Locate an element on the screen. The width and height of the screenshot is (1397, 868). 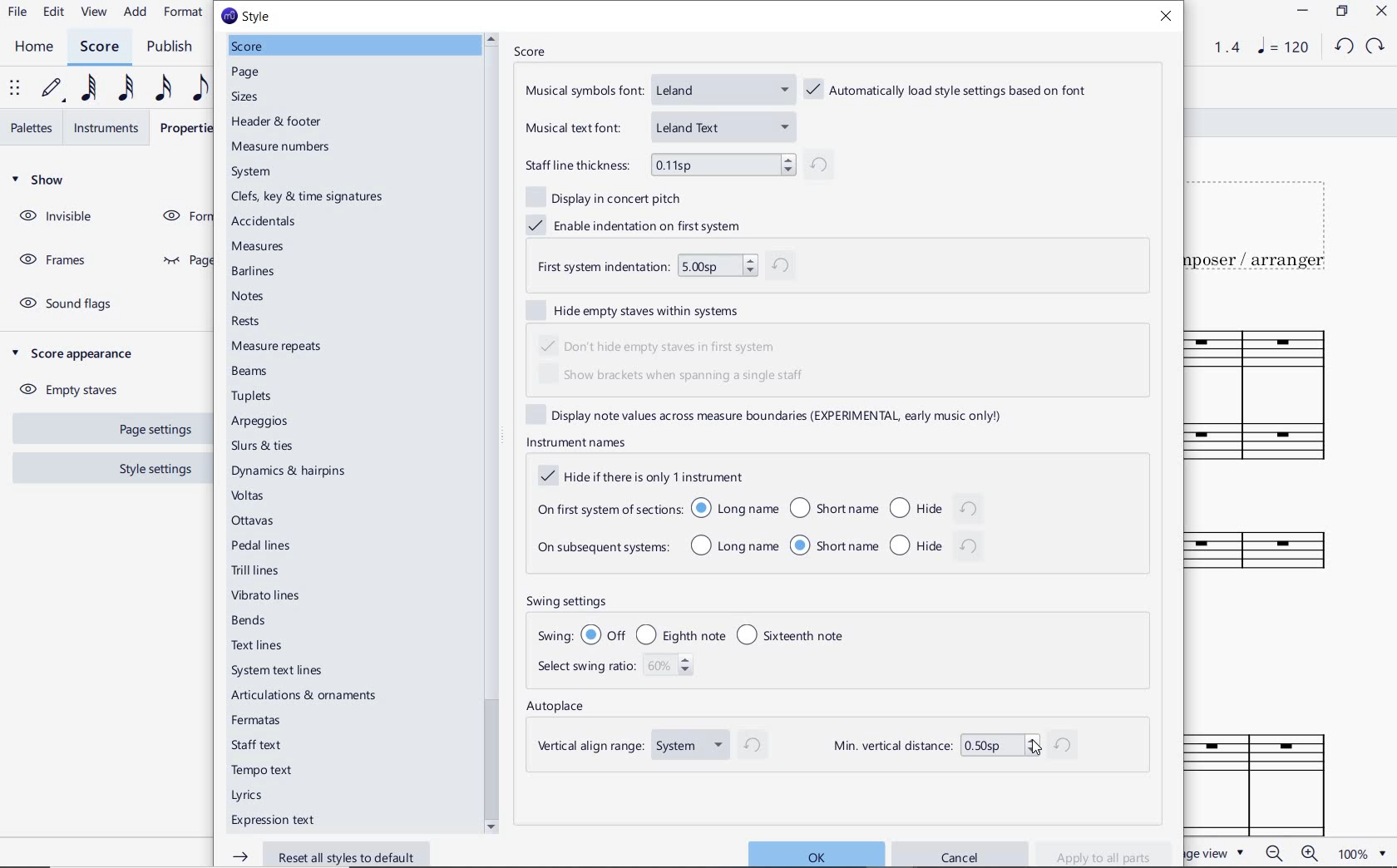
PROPERTIES is located at coordinates (186, 127).